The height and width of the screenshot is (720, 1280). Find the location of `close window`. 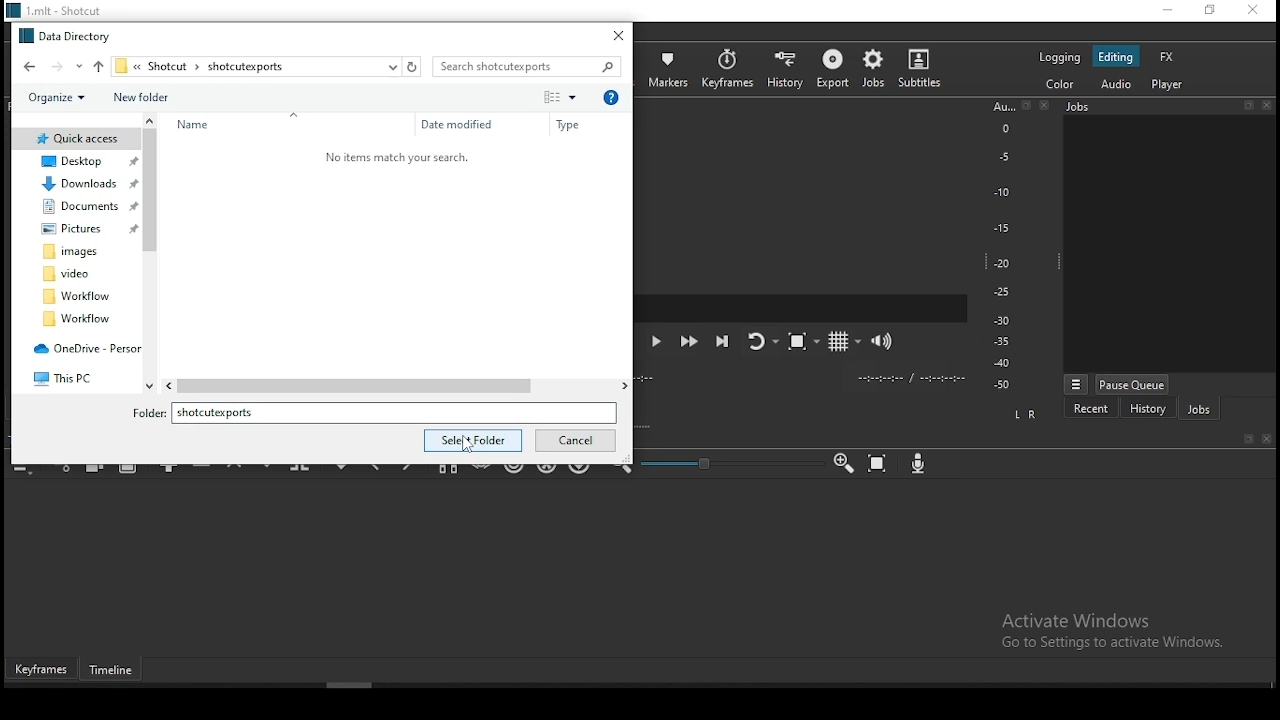

close window is located at coordinates (620, 35).